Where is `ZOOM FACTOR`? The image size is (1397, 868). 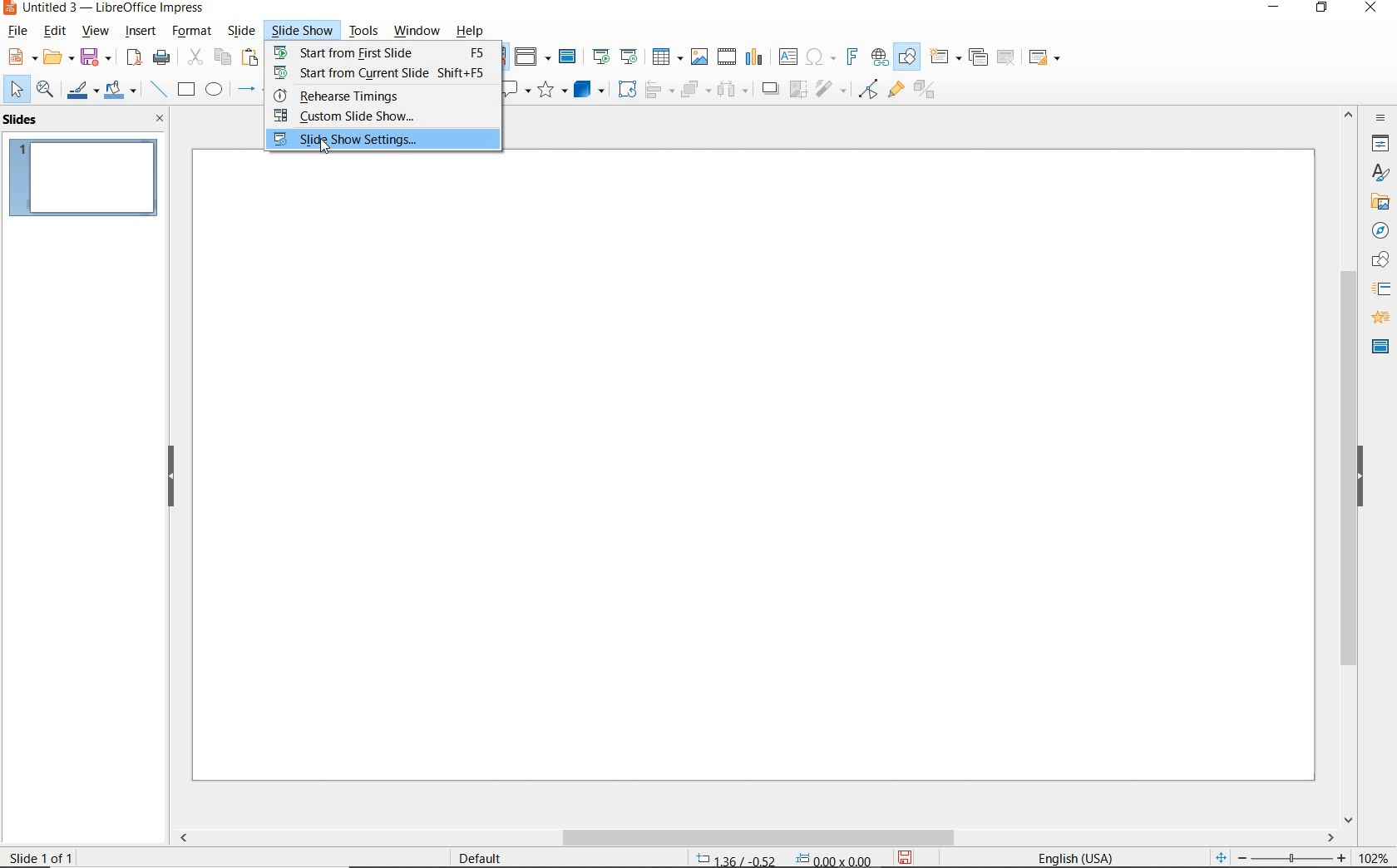 ZOOM FACTOR is located at coordinates (1375, 856).